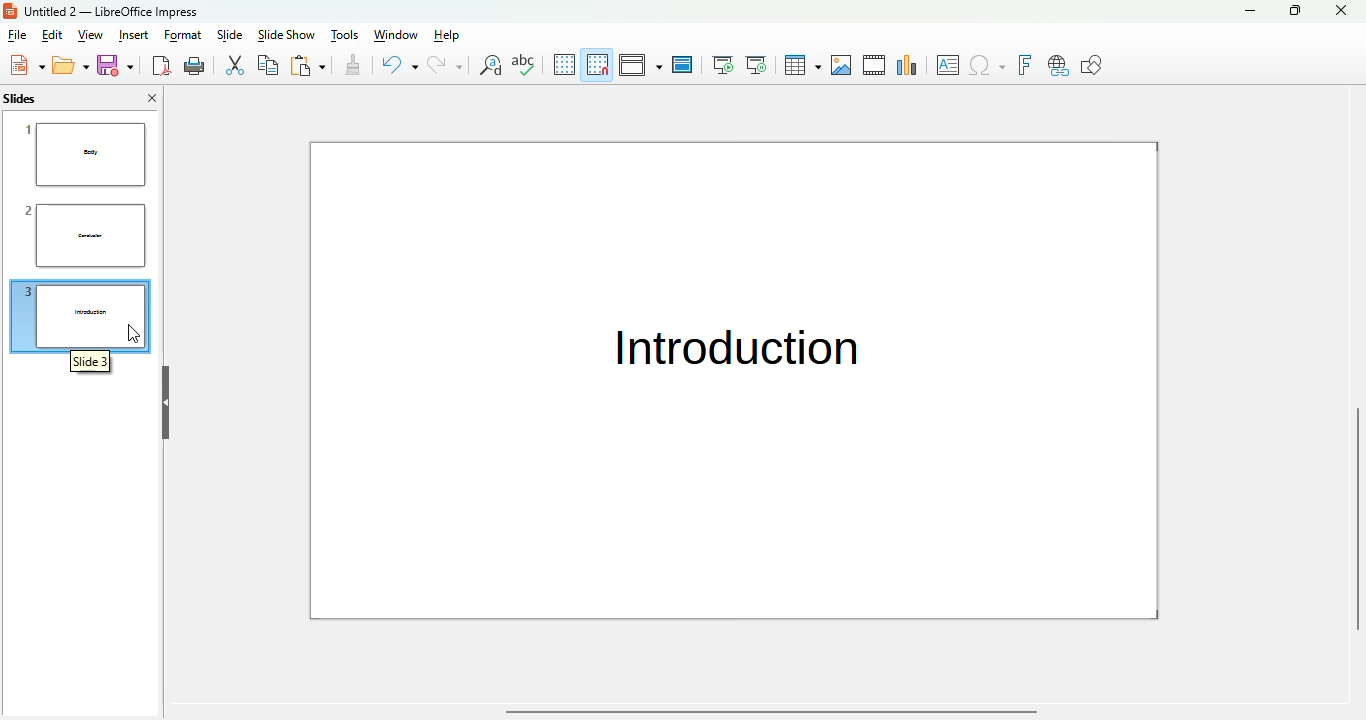 This screenshot has height=720, width=1366. Describe the element at coordinates (80, 314) in the screenshot. I see `slide 3` at that location.